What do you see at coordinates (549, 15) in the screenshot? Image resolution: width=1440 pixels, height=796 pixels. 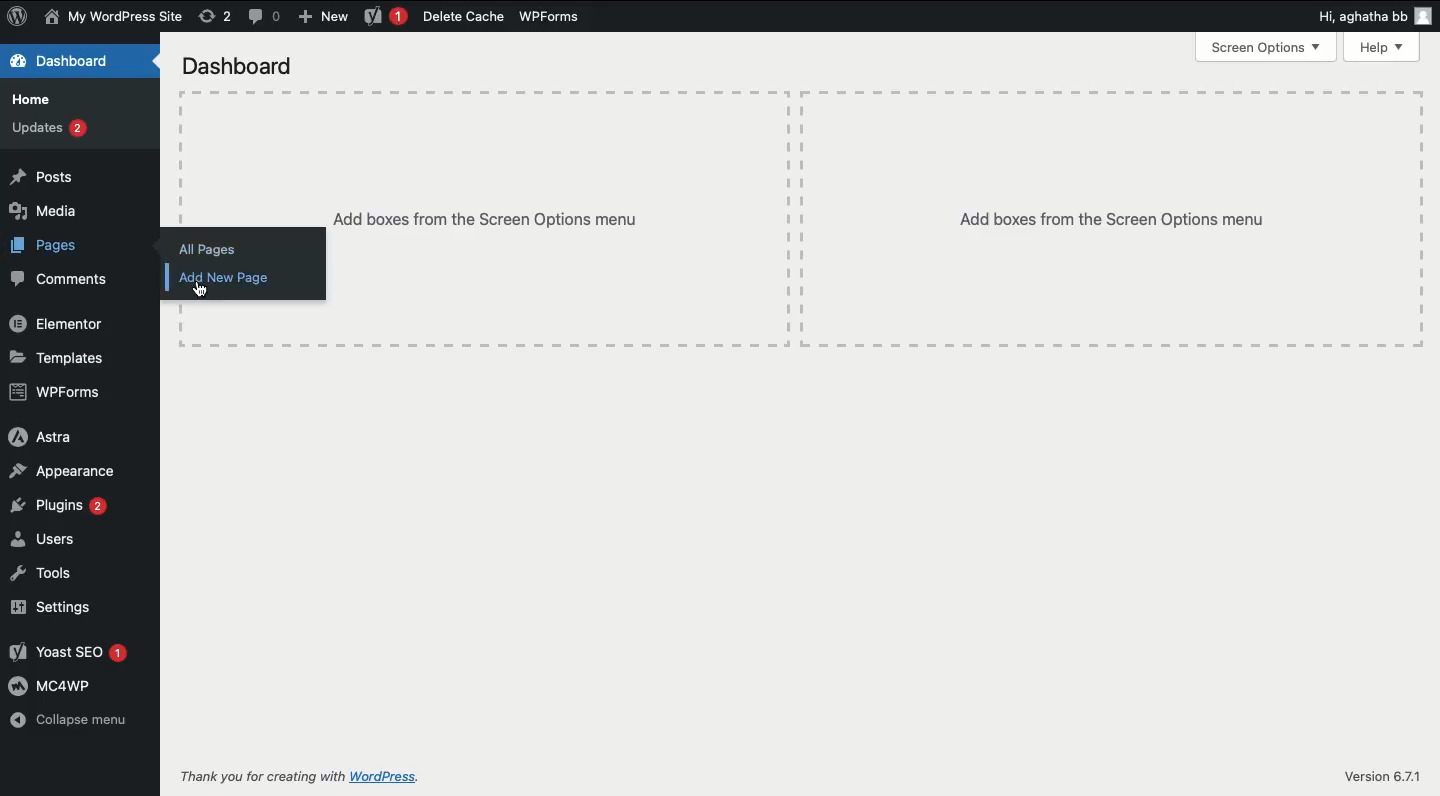 I see `WPForms` at bounding box center [549, 15].